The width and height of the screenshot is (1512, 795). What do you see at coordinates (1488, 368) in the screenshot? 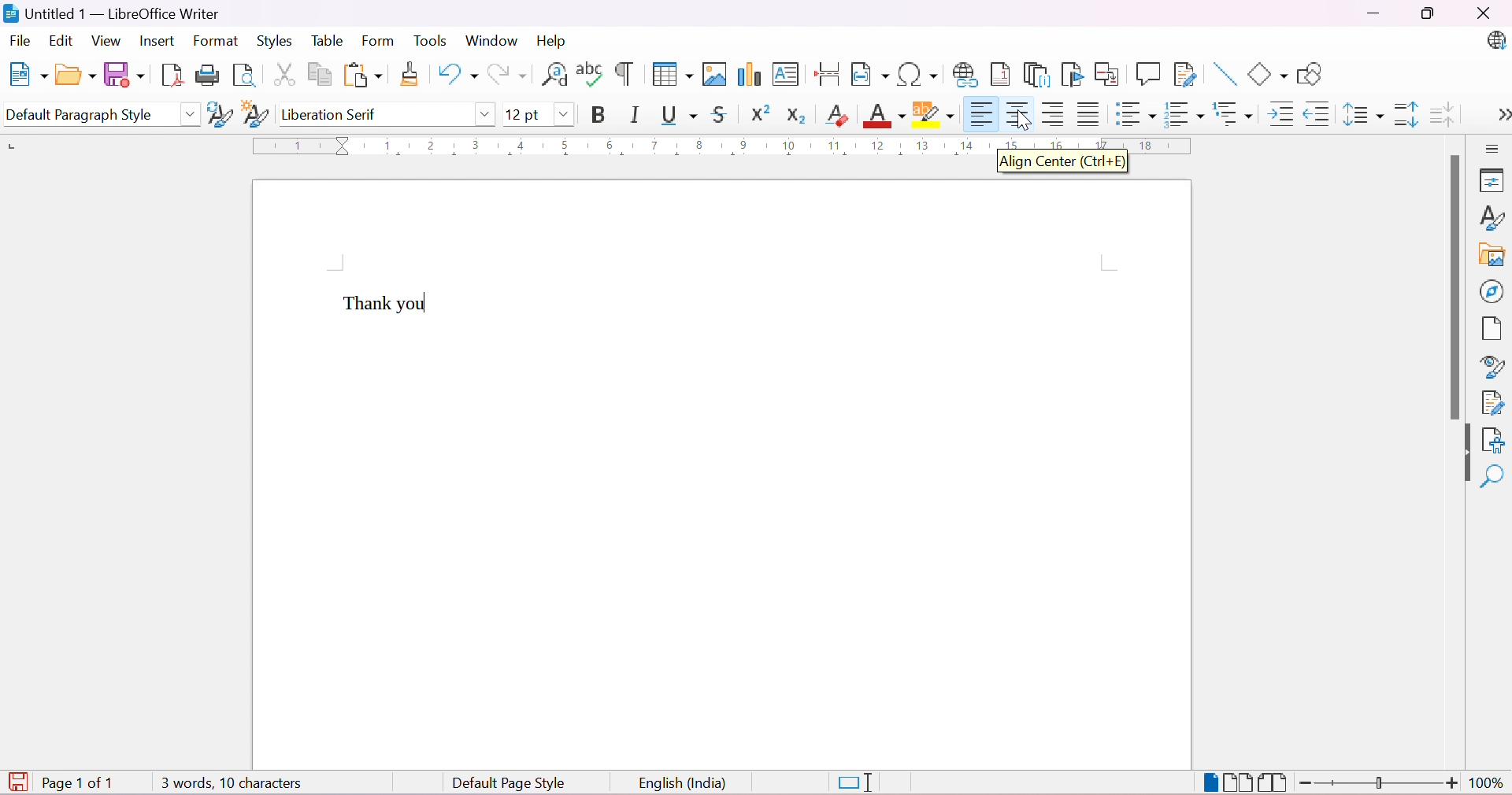
I see `Style Inspector` at bounding box center [1488, 368].